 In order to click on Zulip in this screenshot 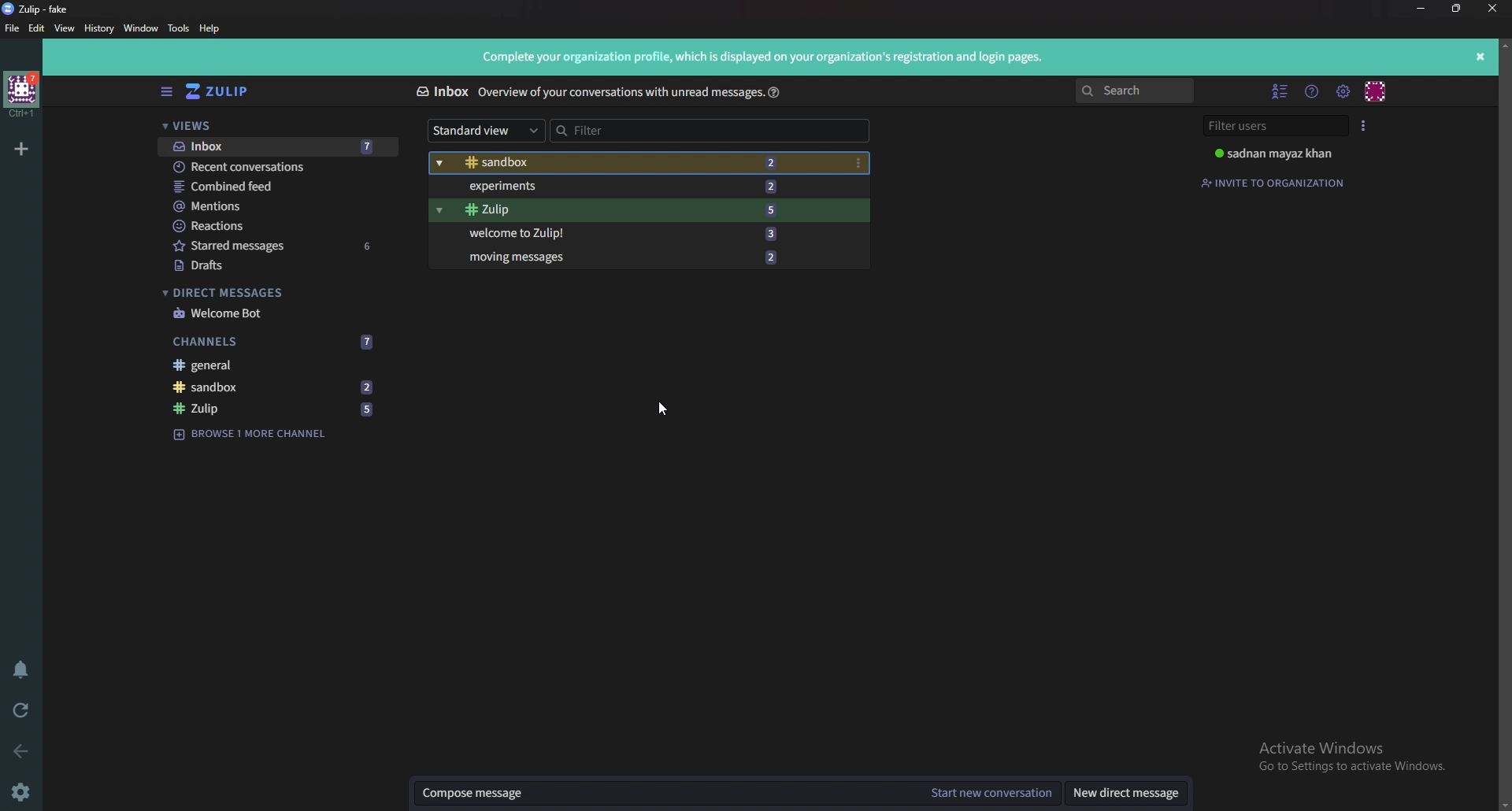, I will do `click(276, 408)`.